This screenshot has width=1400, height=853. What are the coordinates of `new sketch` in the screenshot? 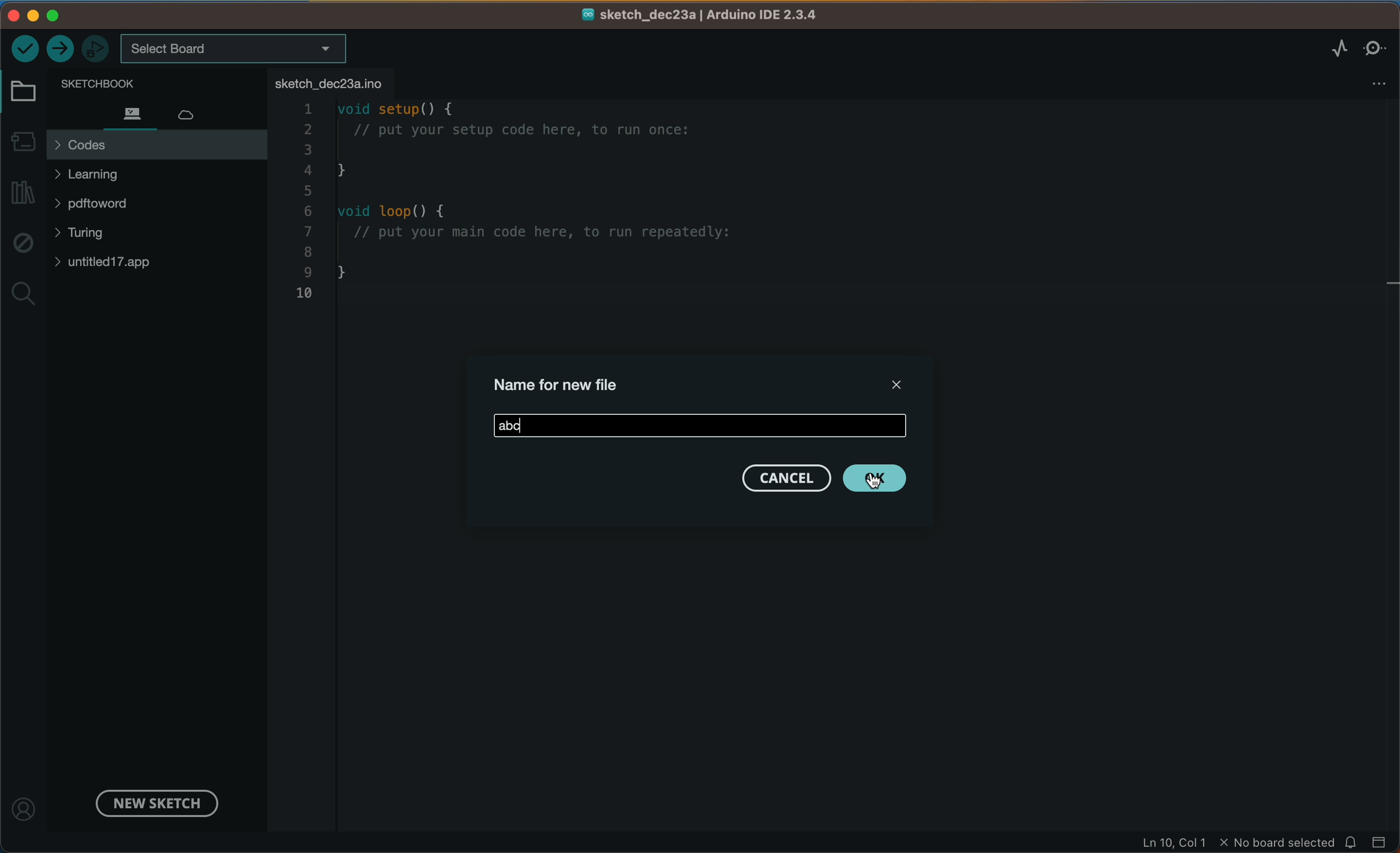 It's located at (153, 802).